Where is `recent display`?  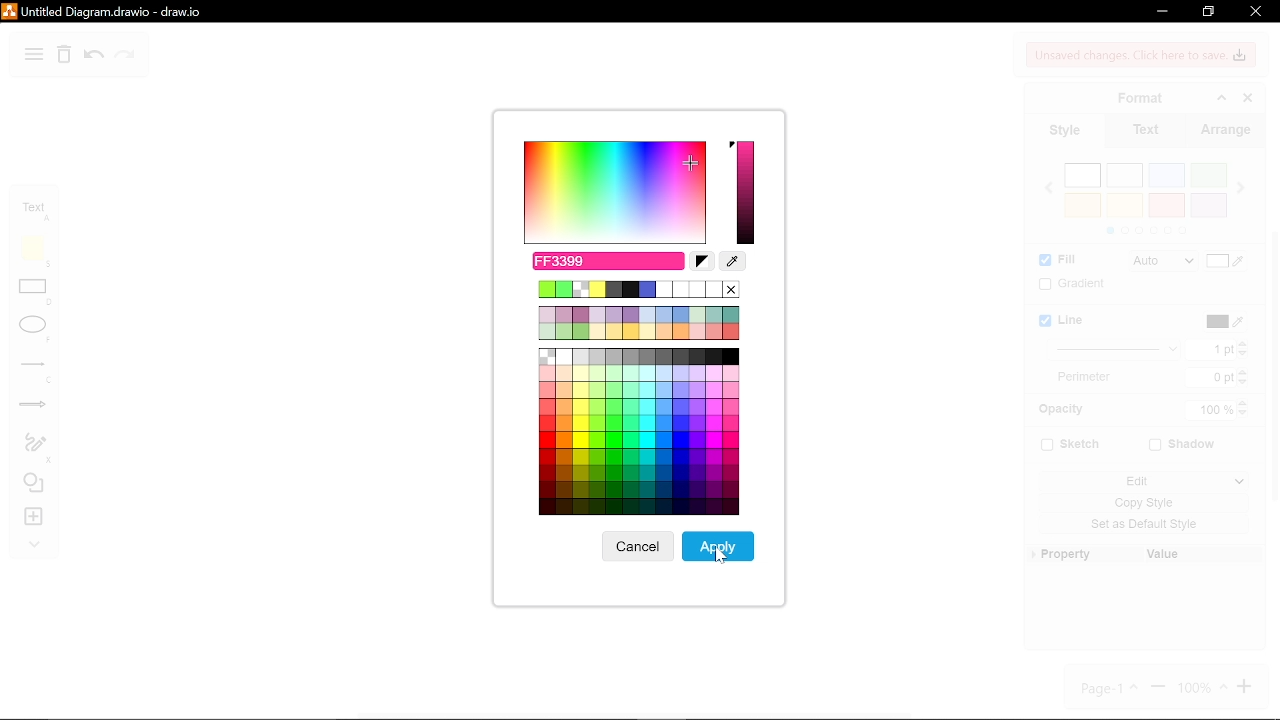
recent display is located at coordinates (639, 322).